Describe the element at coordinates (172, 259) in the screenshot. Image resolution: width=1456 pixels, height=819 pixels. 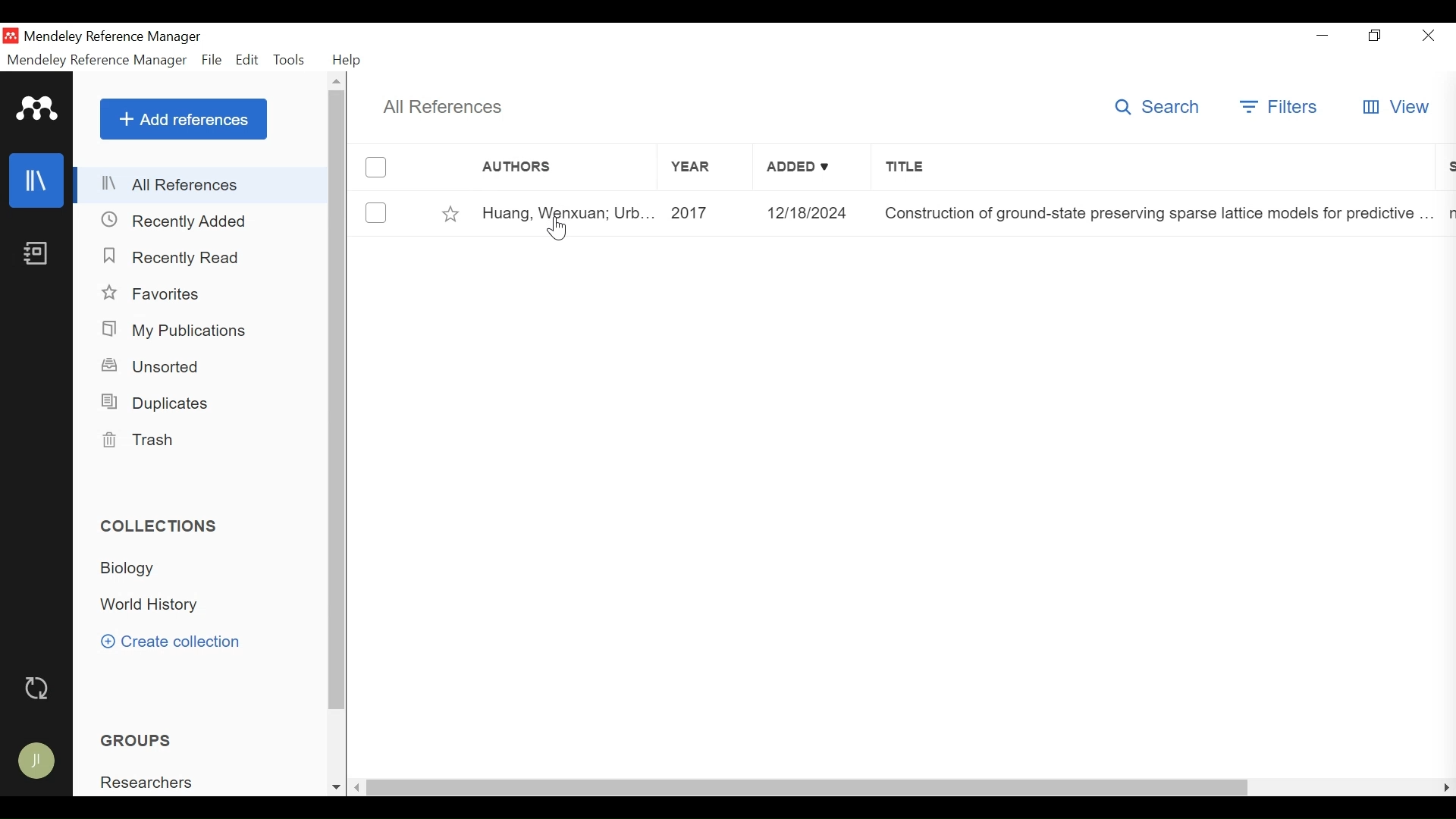
I see `Recently Read` at that location.